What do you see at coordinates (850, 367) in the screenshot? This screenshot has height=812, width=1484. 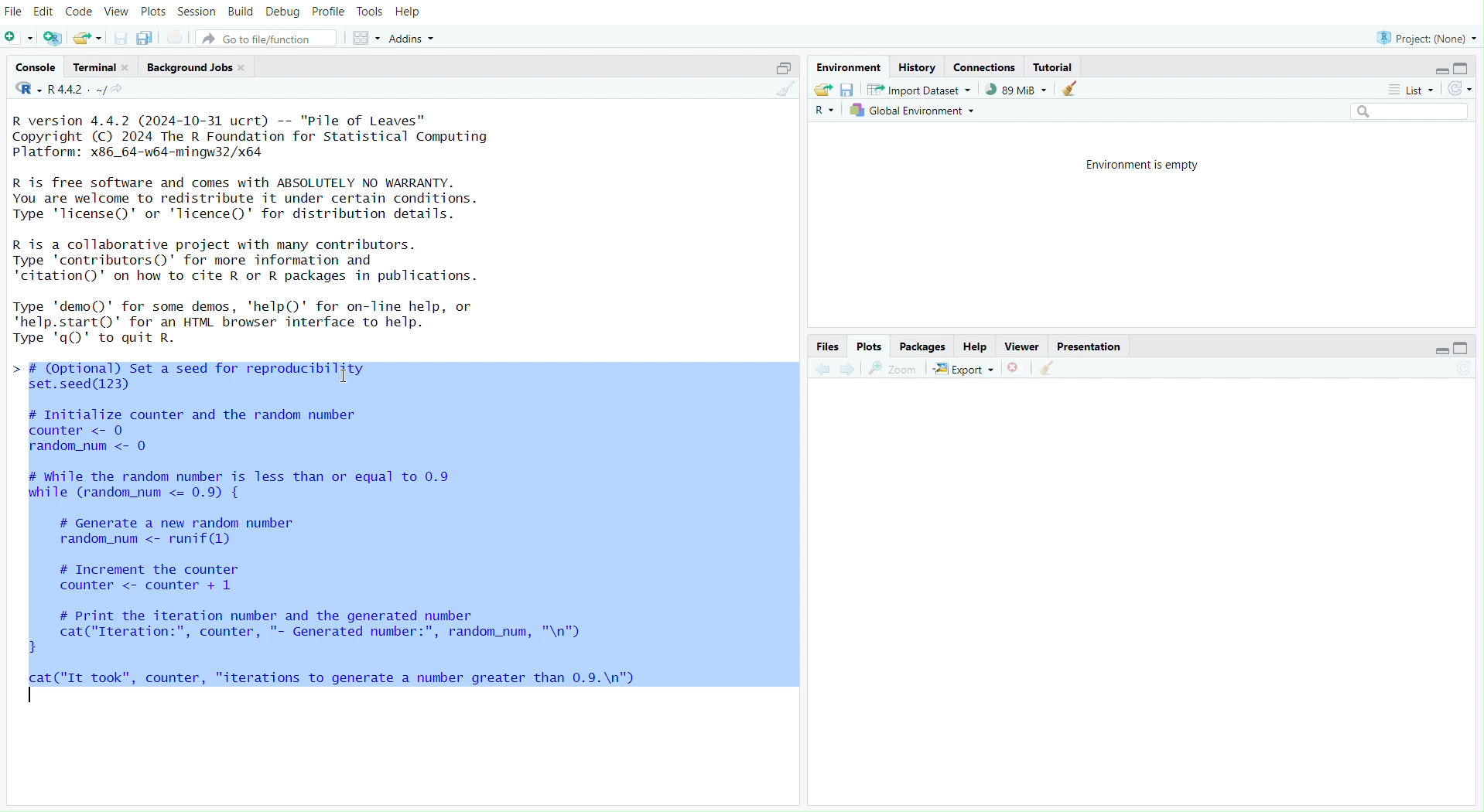 I see `Go forward to the next source location (Ctrl + F10)` at bounding box center [850, 367].